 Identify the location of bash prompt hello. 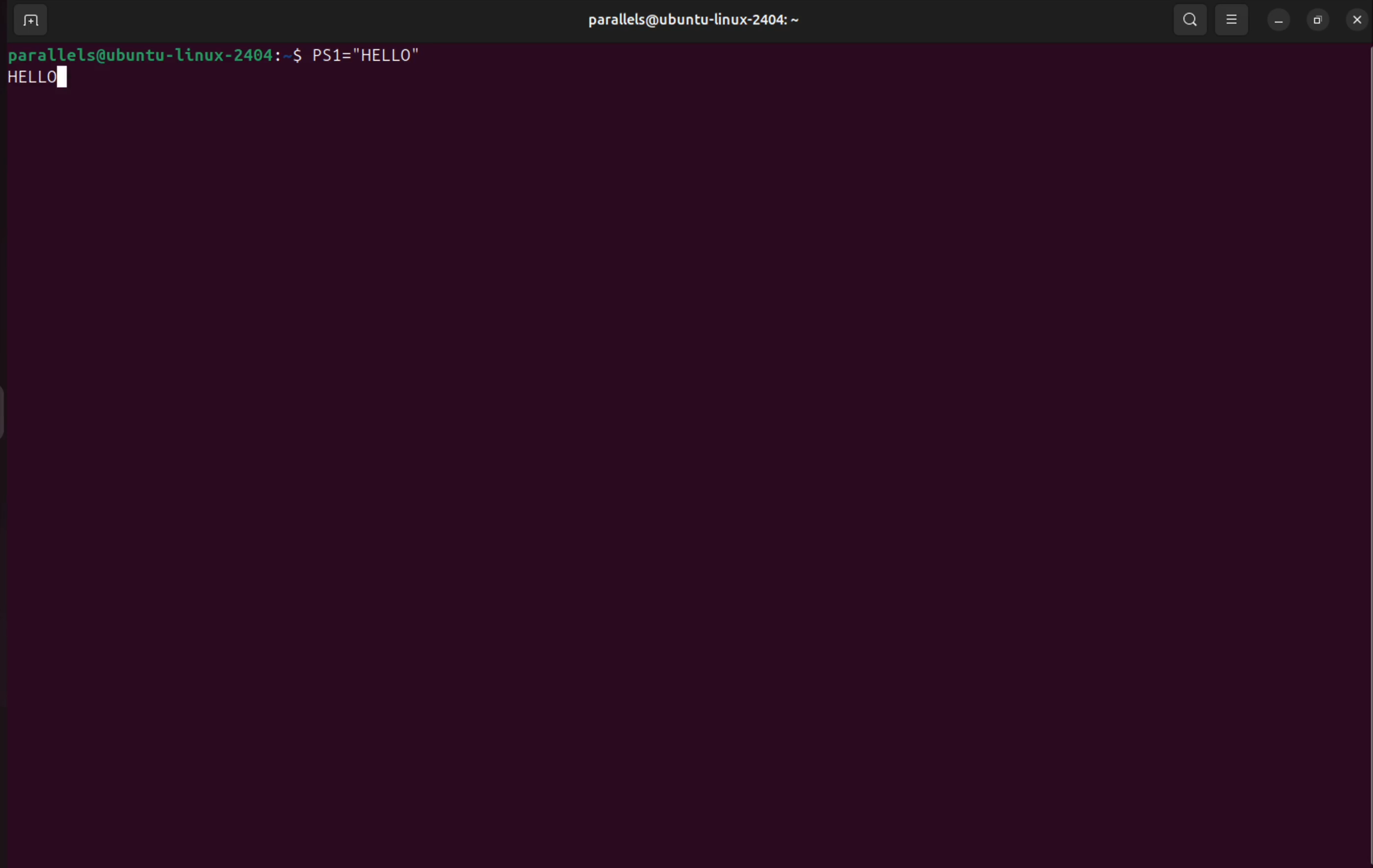
(40, 80).